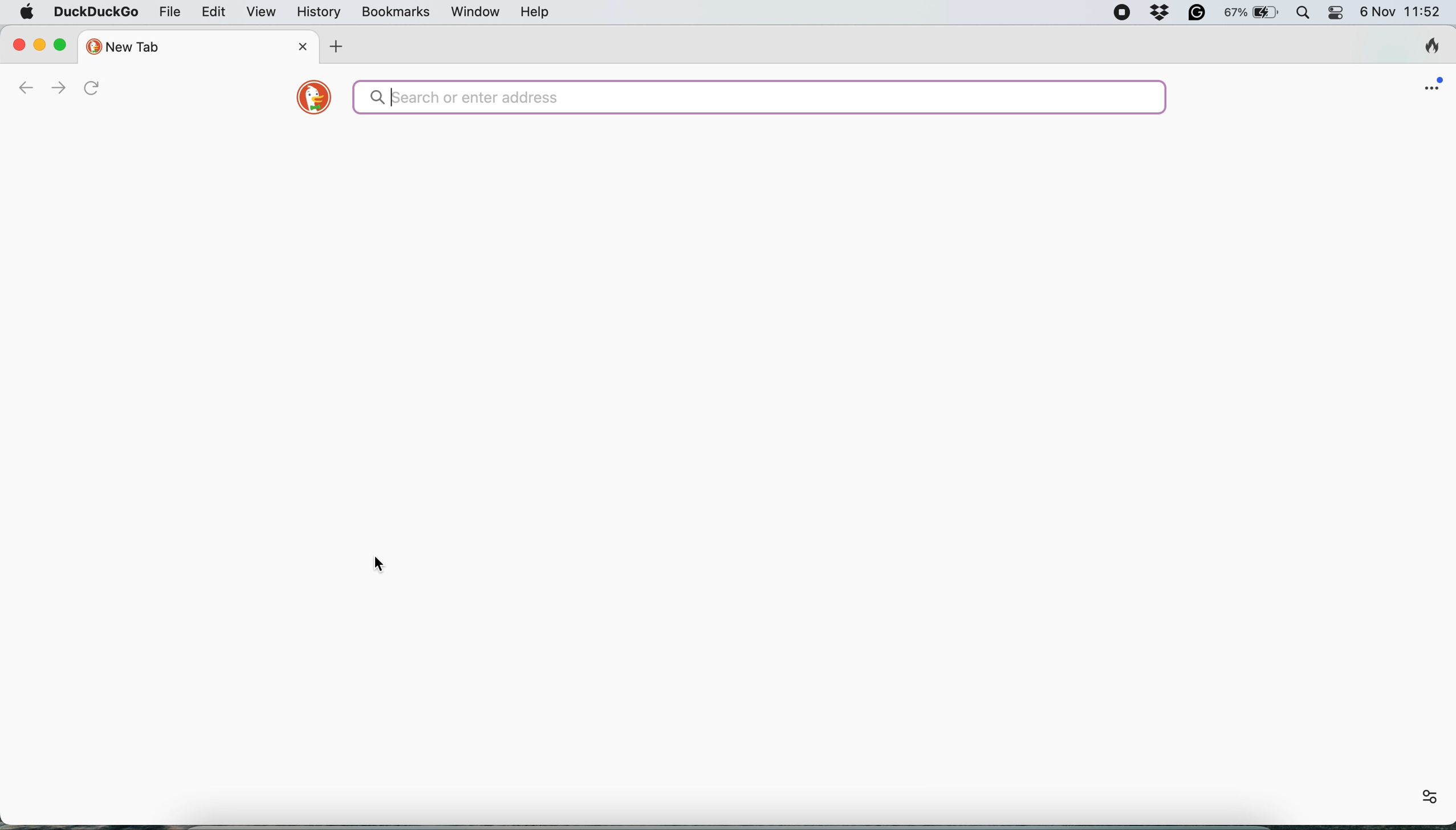  What do you see at coordinates (1404, 13) in the screenshot?
I see `6 Nov 11:52` at bounding box center [1404, 13].